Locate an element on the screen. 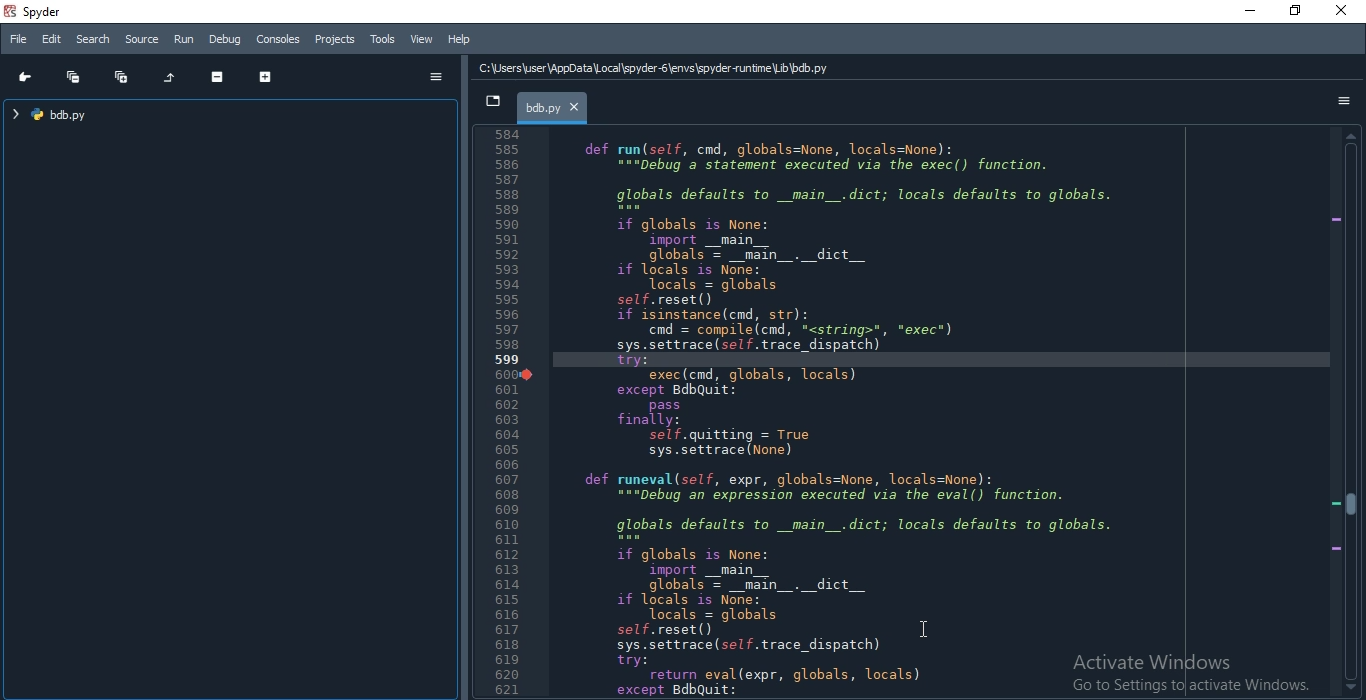  minimize is located at coordinates (1252, 12).